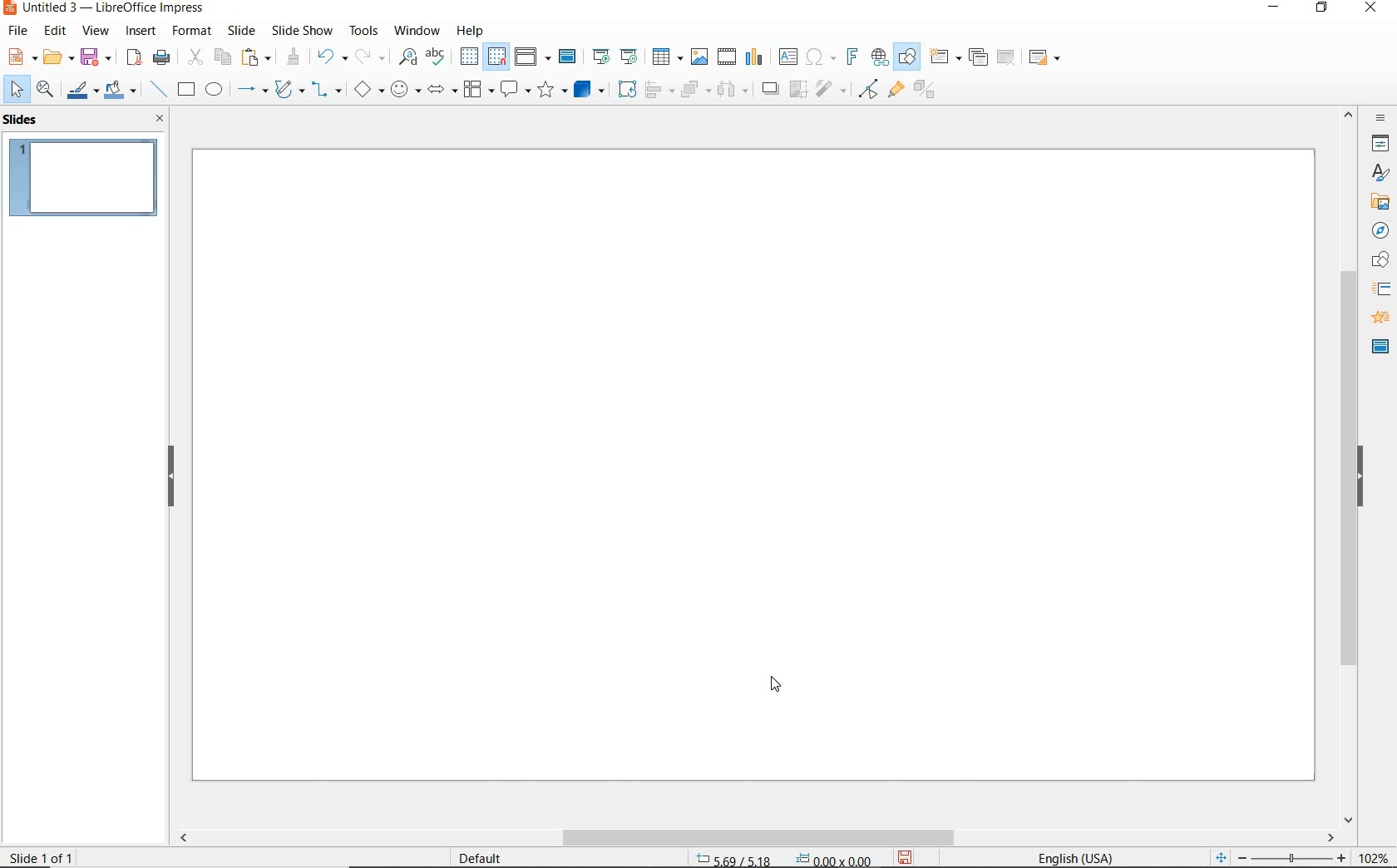 This screenshot has height=868, width=1397. What do you see at coordinates (1380, 145) in the screenshot?
I see `PROPERTIES` at bounding box center [1380, 145].